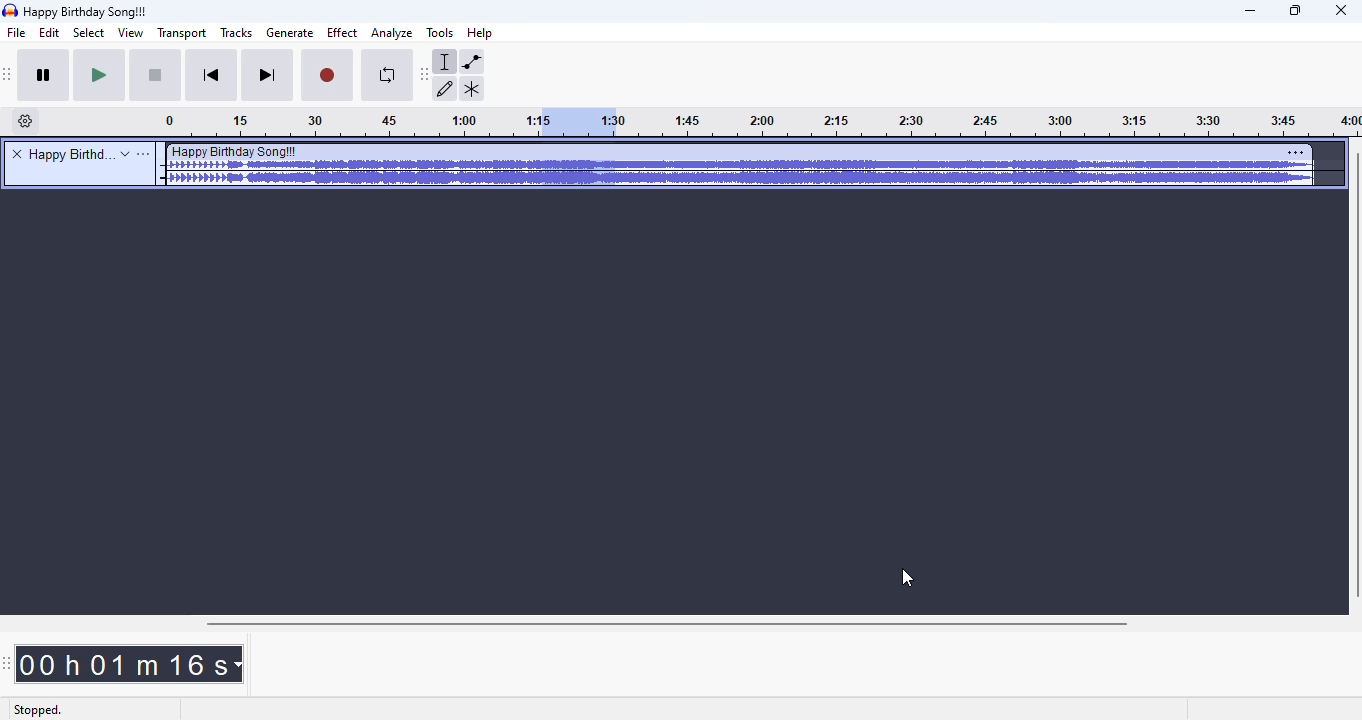  Describe the element at coordinates (576, 121) in the screenshot. I see `selected audio exported as MP3 file` at that location.